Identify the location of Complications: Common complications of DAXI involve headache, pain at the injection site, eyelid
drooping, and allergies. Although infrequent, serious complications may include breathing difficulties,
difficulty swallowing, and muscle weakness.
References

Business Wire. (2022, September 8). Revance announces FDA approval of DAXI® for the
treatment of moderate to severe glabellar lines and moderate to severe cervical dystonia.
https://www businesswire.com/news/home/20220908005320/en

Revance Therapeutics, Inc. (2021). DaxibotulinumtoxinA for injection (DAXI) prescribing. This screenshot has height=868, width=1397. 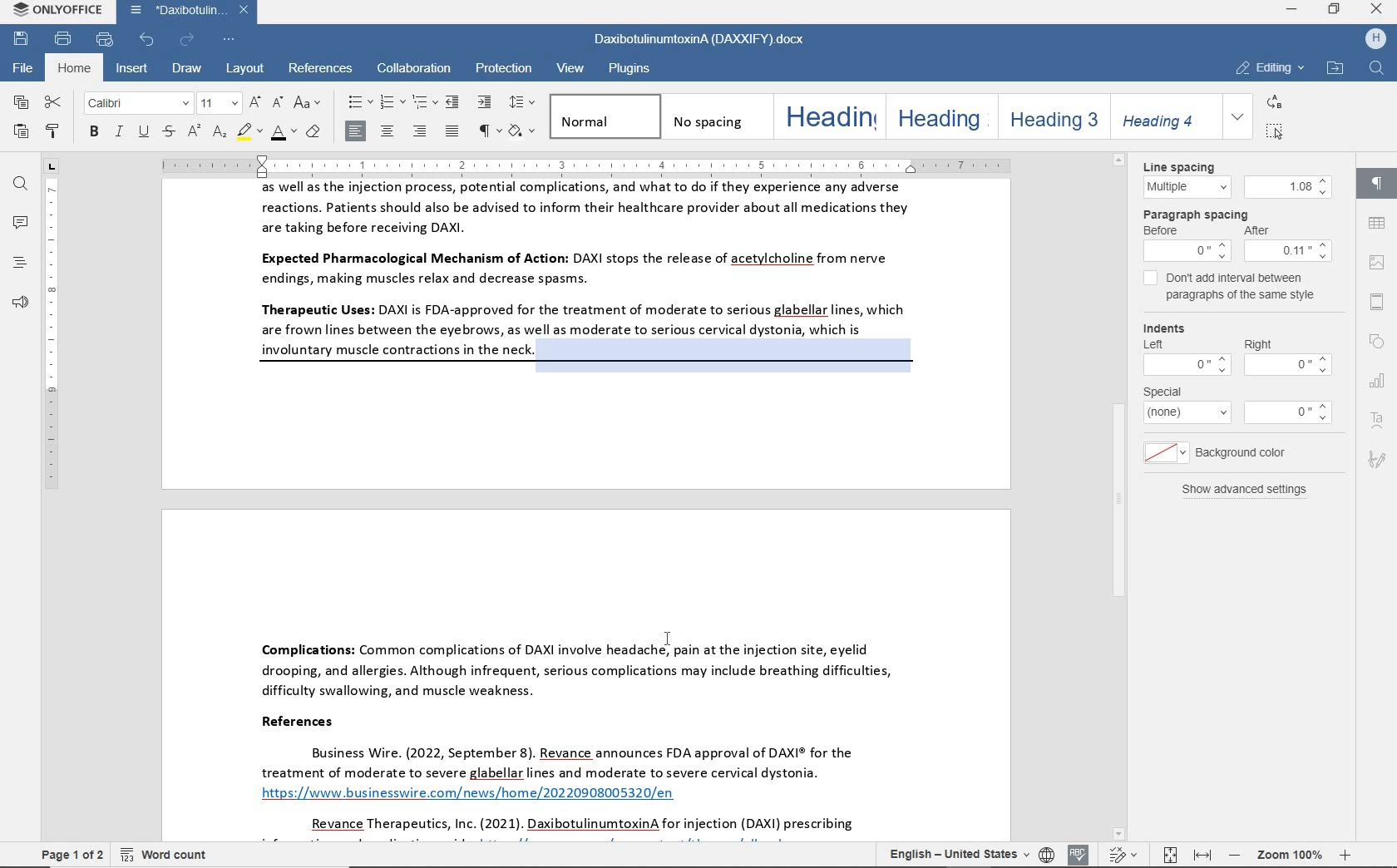
(587, 672).